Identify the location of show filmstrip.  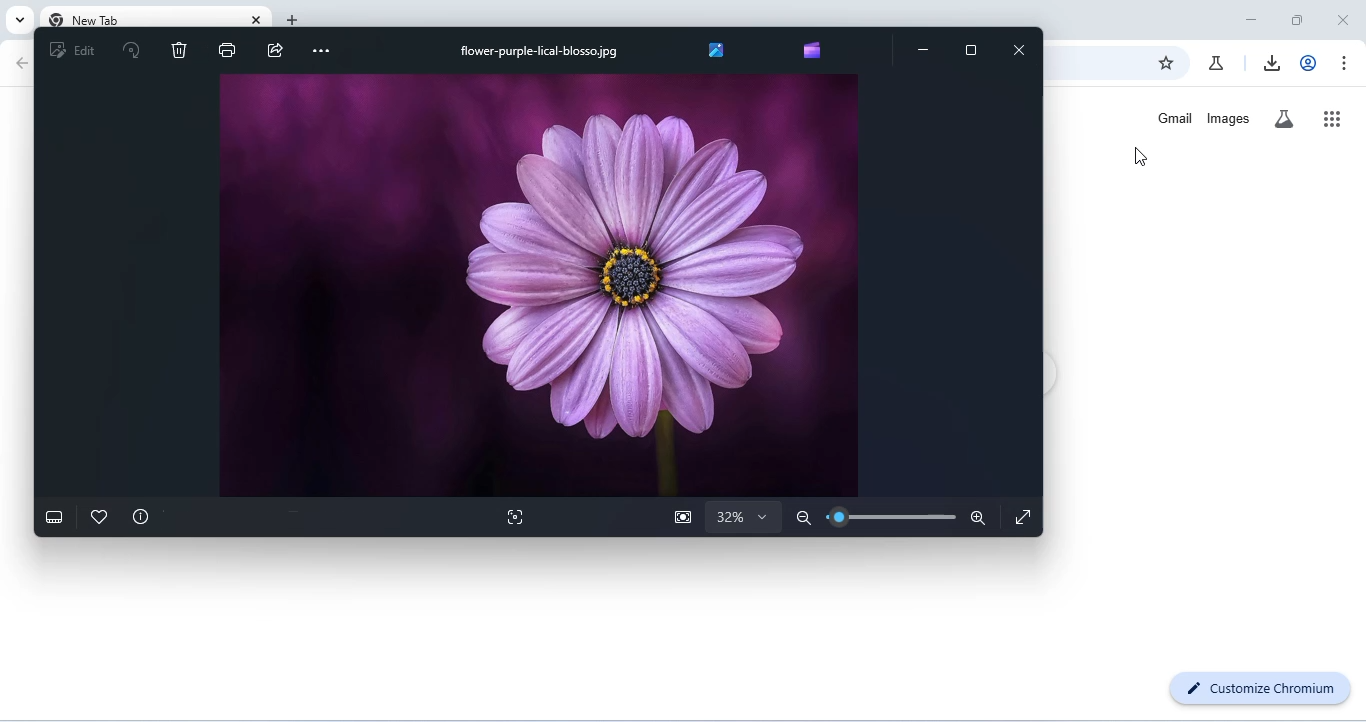
(56, 516).